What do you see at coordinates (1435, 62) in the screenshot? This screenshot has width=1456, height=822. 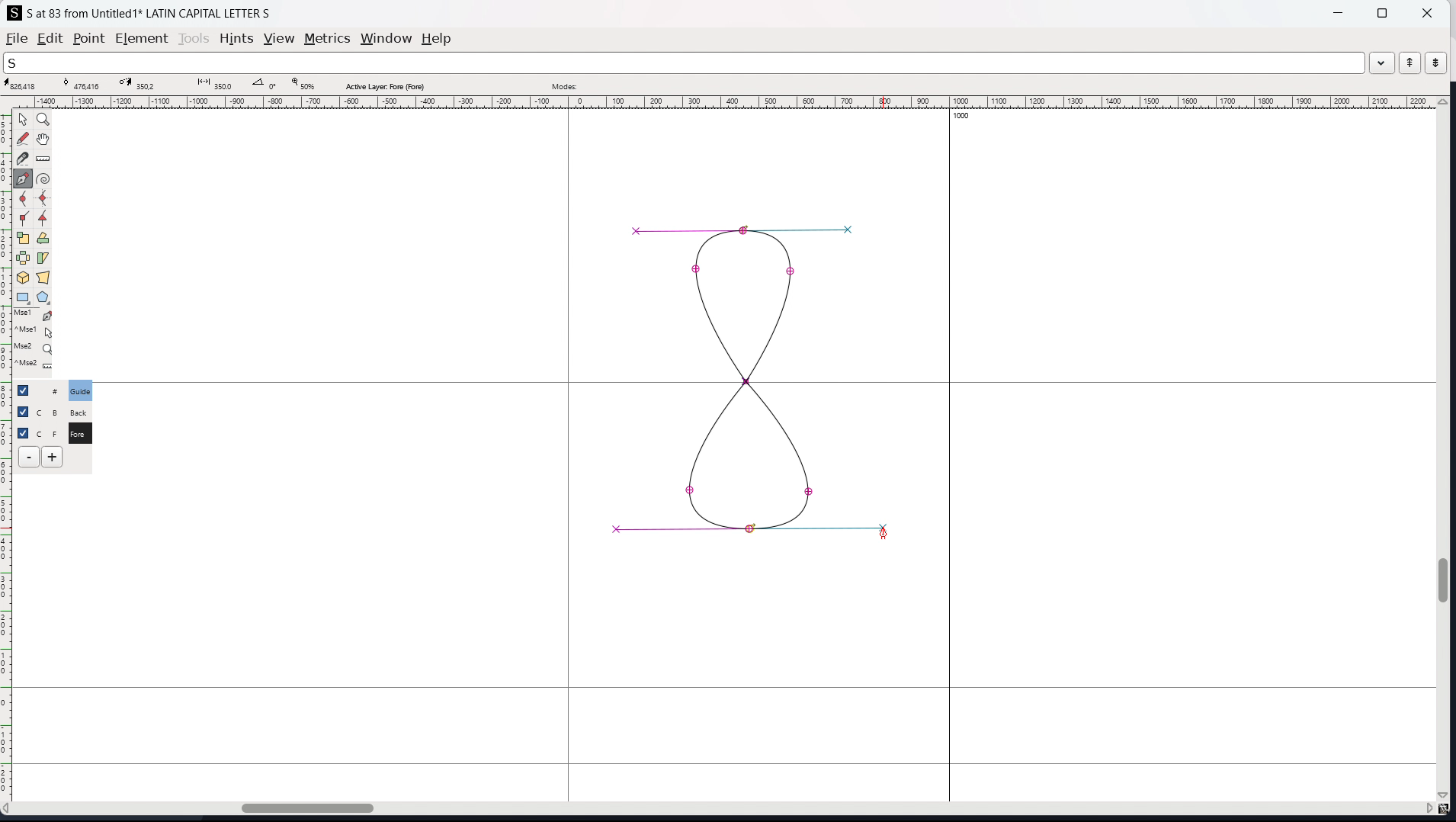 I see `next word in the wordlist` at bounding box center [1435, 62].